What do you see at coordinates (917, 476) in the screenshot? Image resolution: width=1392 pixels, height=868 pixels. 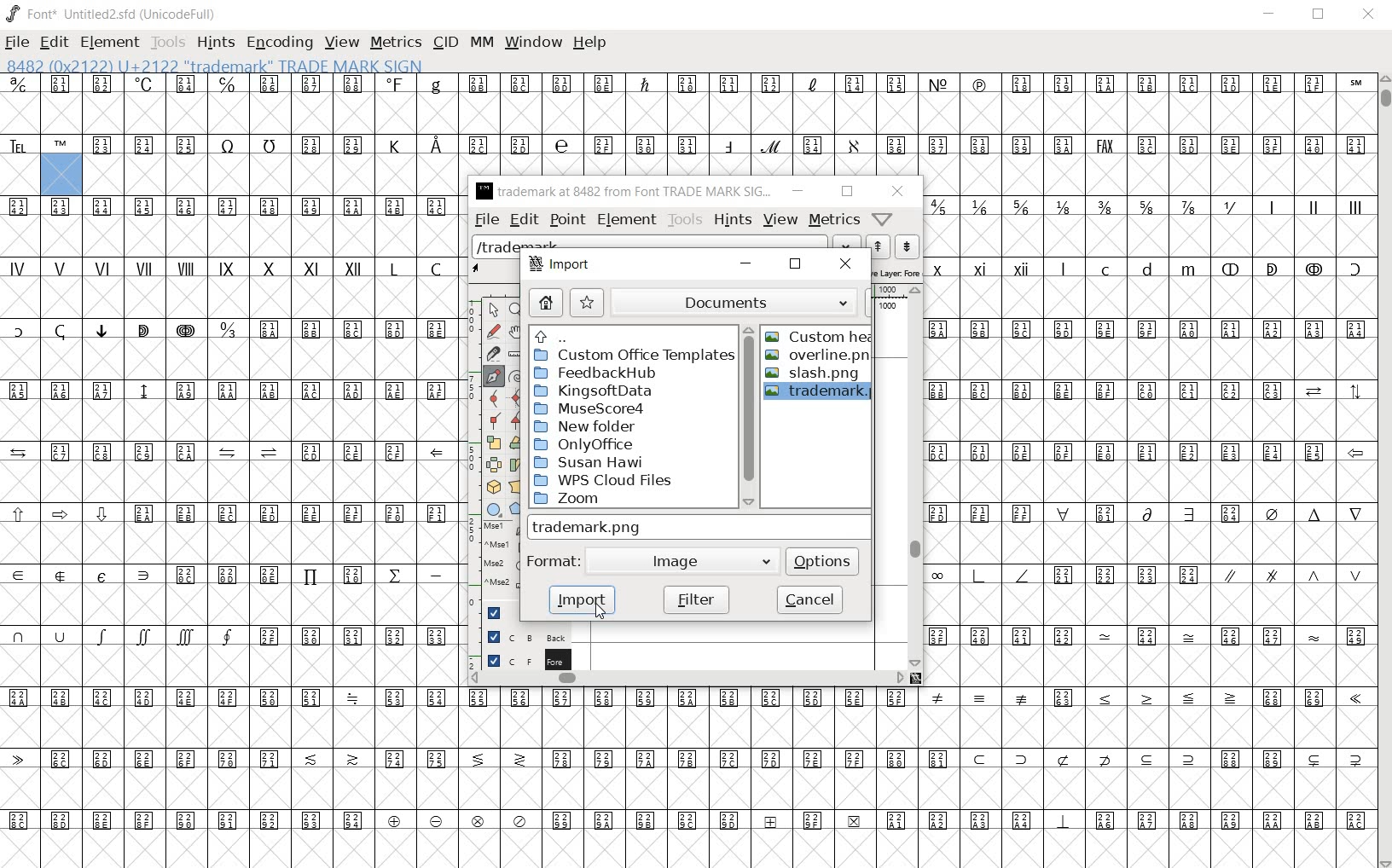 I see `scrollbar` at bounding box center [917, 476].